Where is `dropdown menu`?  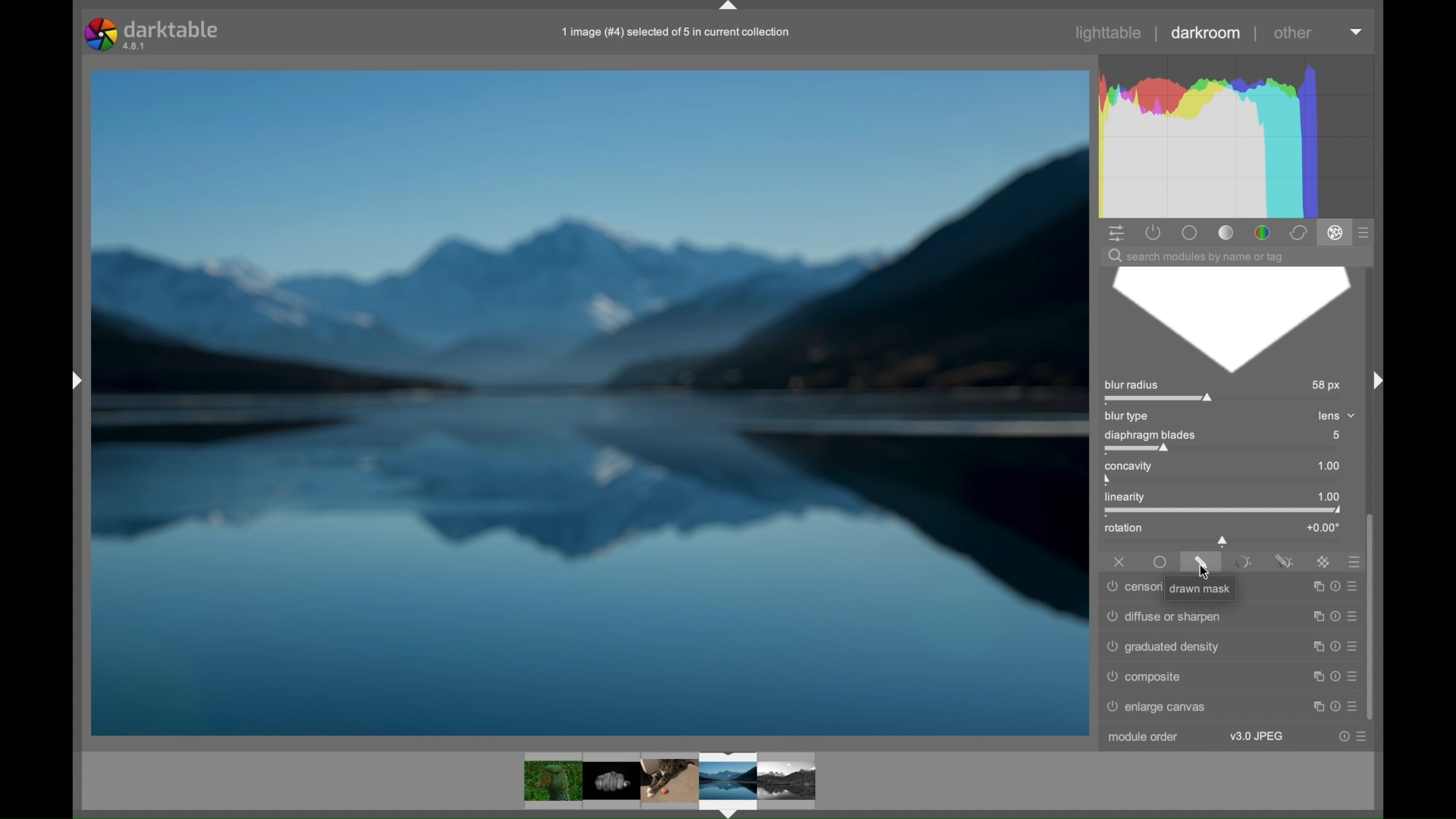 dropdown menu is located at coordinates (1357, 33).